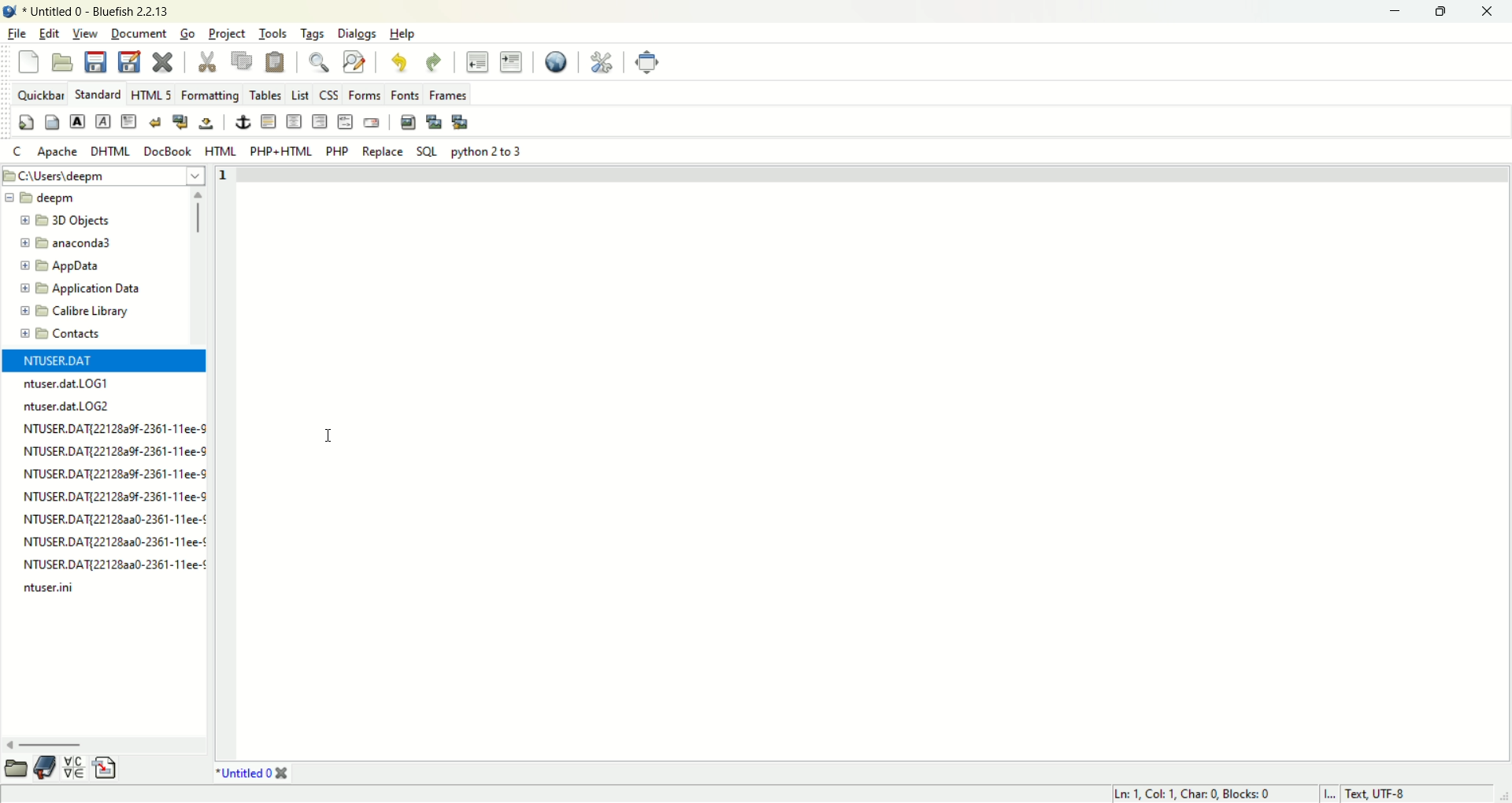 The width and height of the screenshot is (1512, 803). Describe the element at coordinates (18, 769) in the screenshot. I see `file browser` at that location.